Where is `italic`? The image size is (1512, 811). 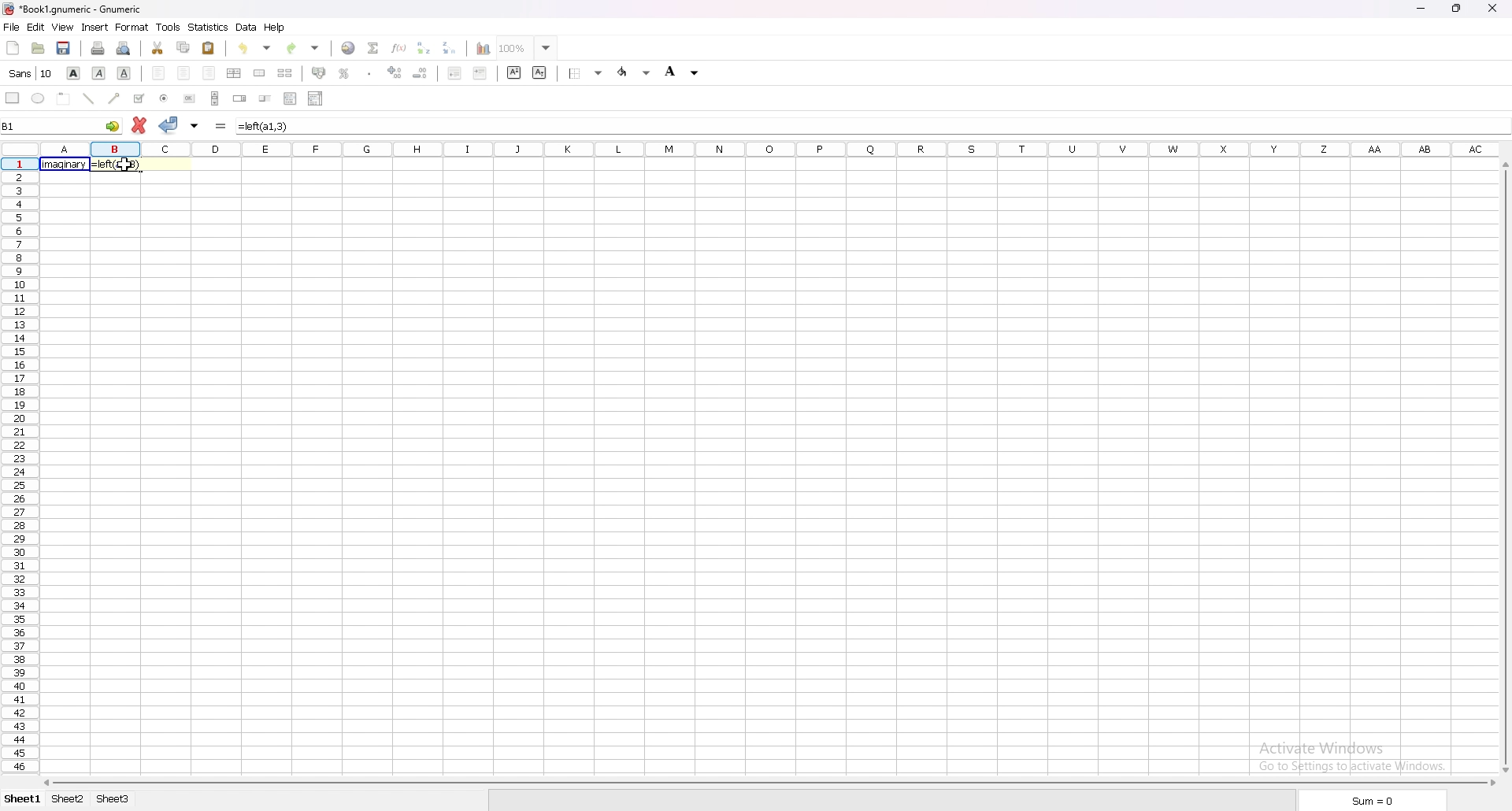
italic is located at coordinates (99, 72).